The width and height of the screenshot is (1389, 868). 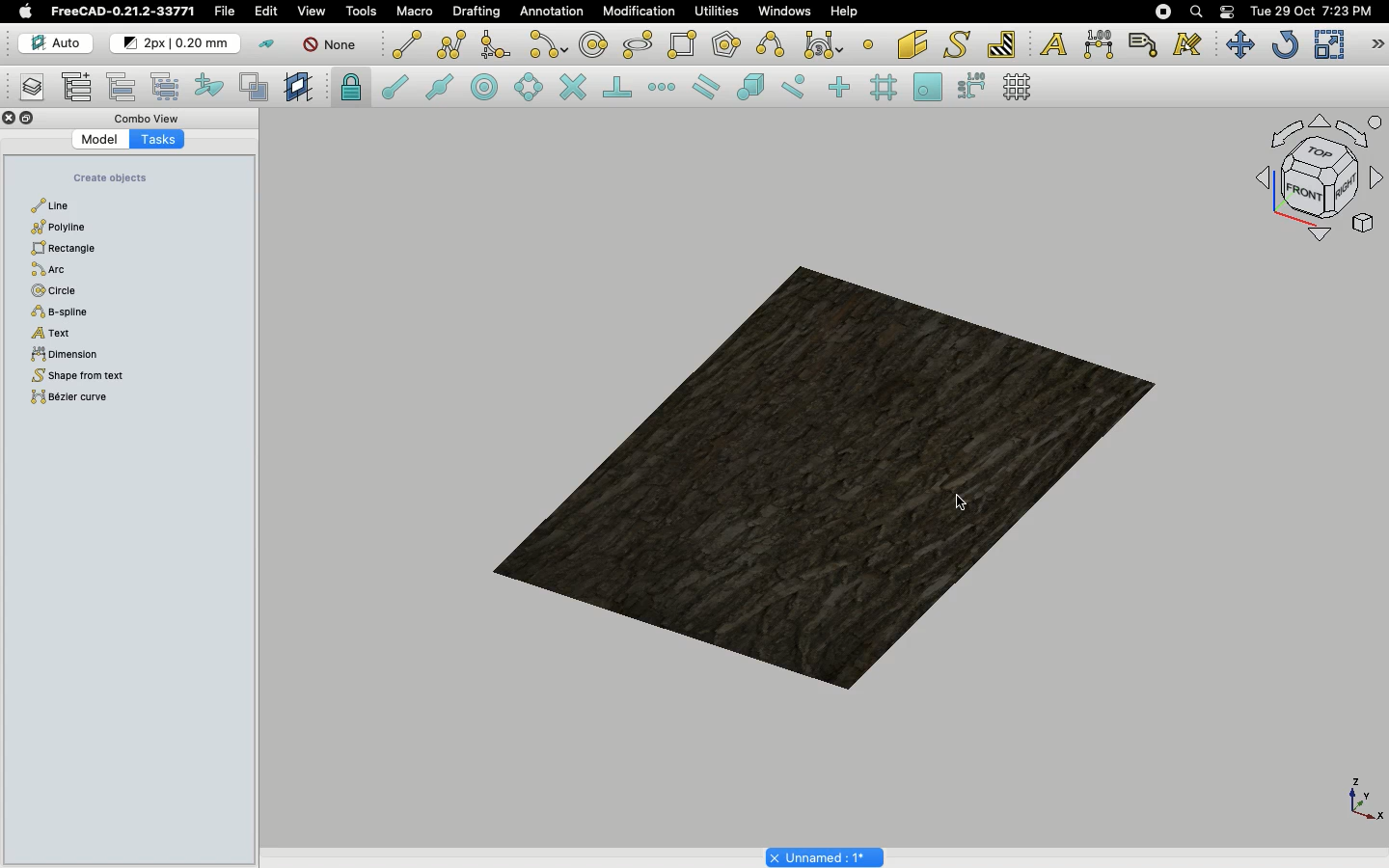 I want to click on Ellipse, so click(x=636, y=43).